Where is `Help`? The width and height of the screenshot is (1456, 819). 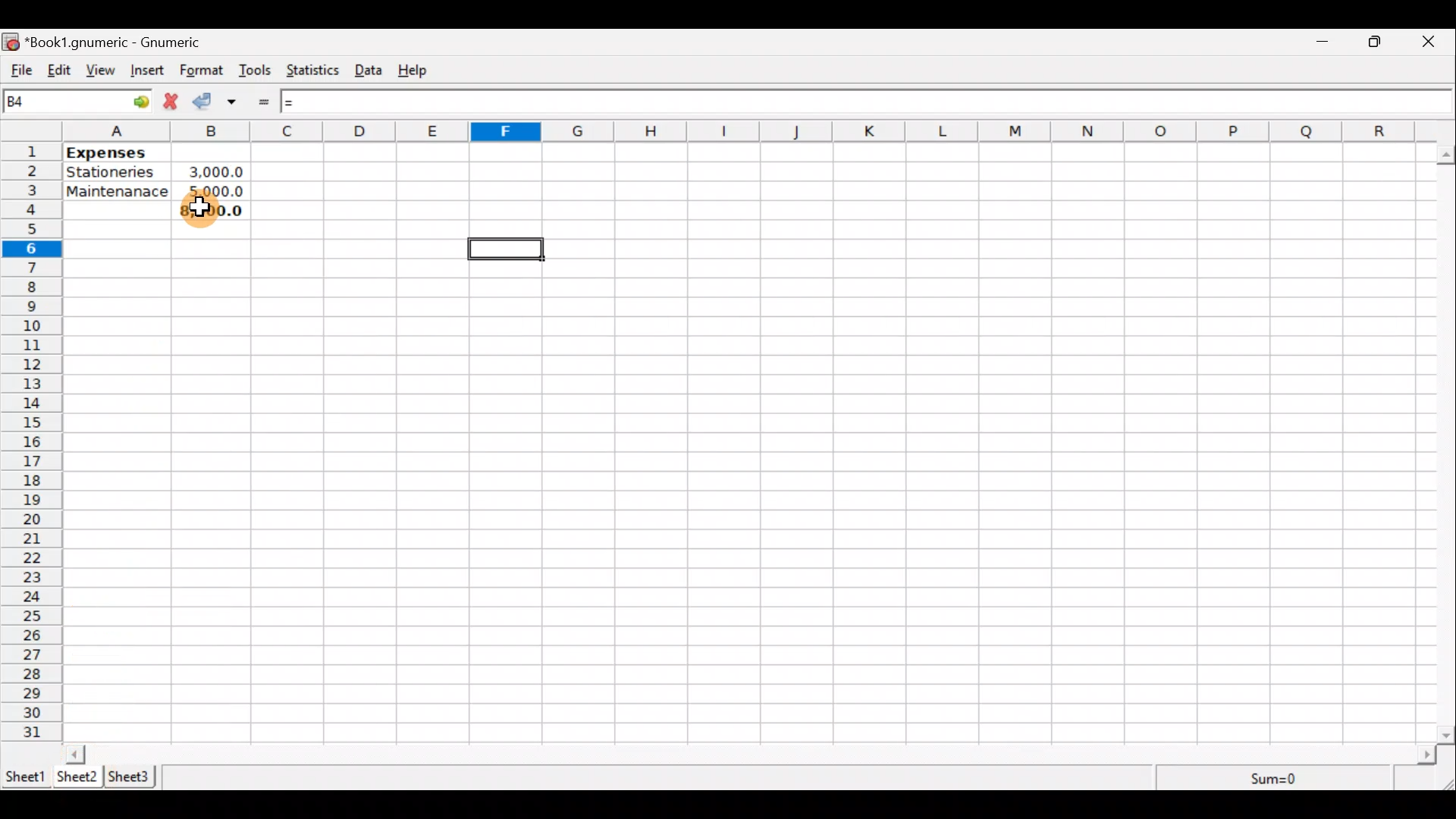 Help is located at coordinates (420, 71).